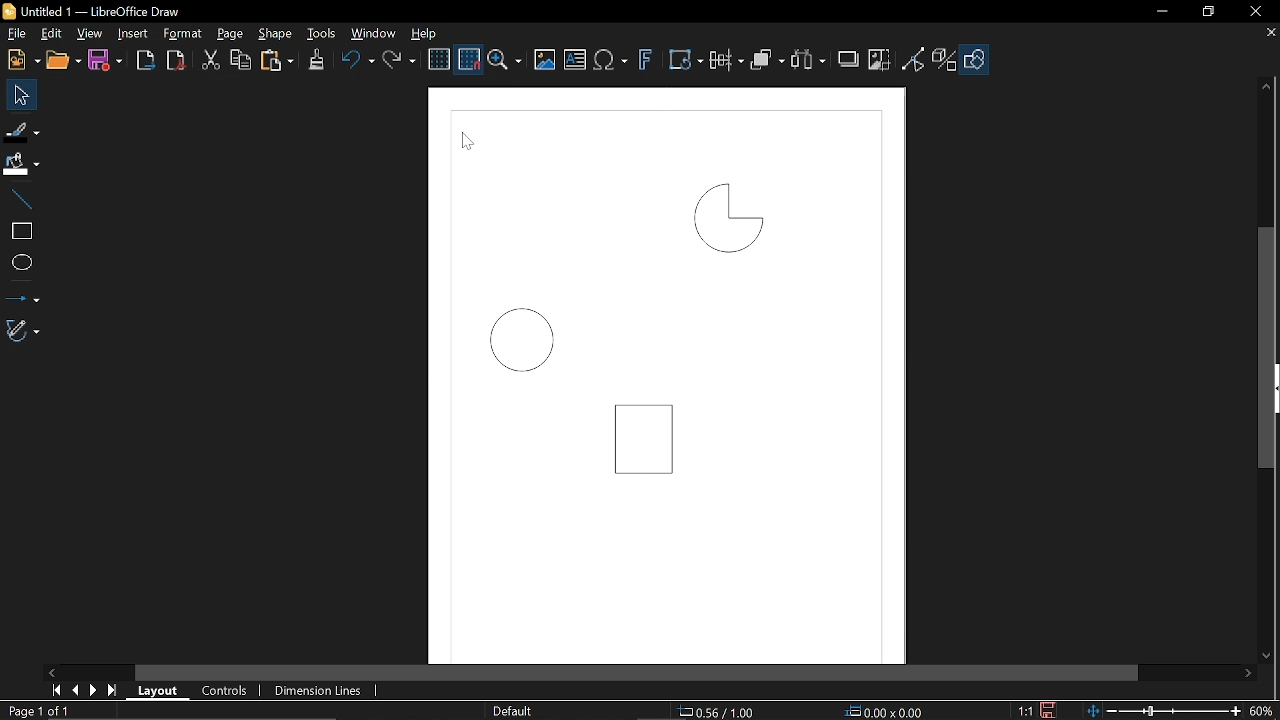 Image resolution: width=1280 pixels, height=720 pixels. What do you see at coordinates (682, 61) in the screenshot?
I see `Transform` at bounding box center [682, 61].